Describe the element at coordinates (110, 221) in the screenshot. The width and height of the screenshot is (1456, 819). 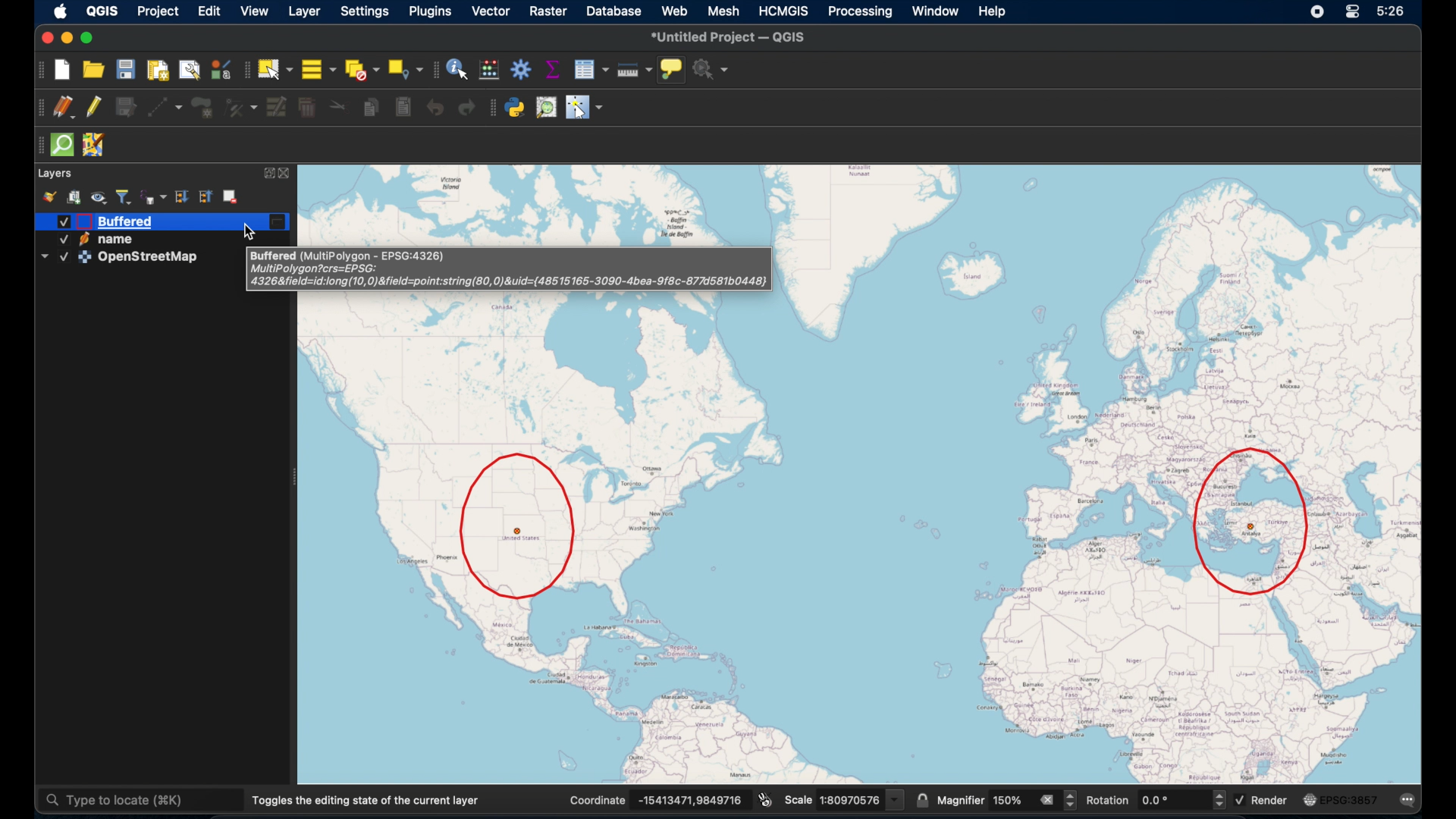
I see `active buffered layer` at that location.